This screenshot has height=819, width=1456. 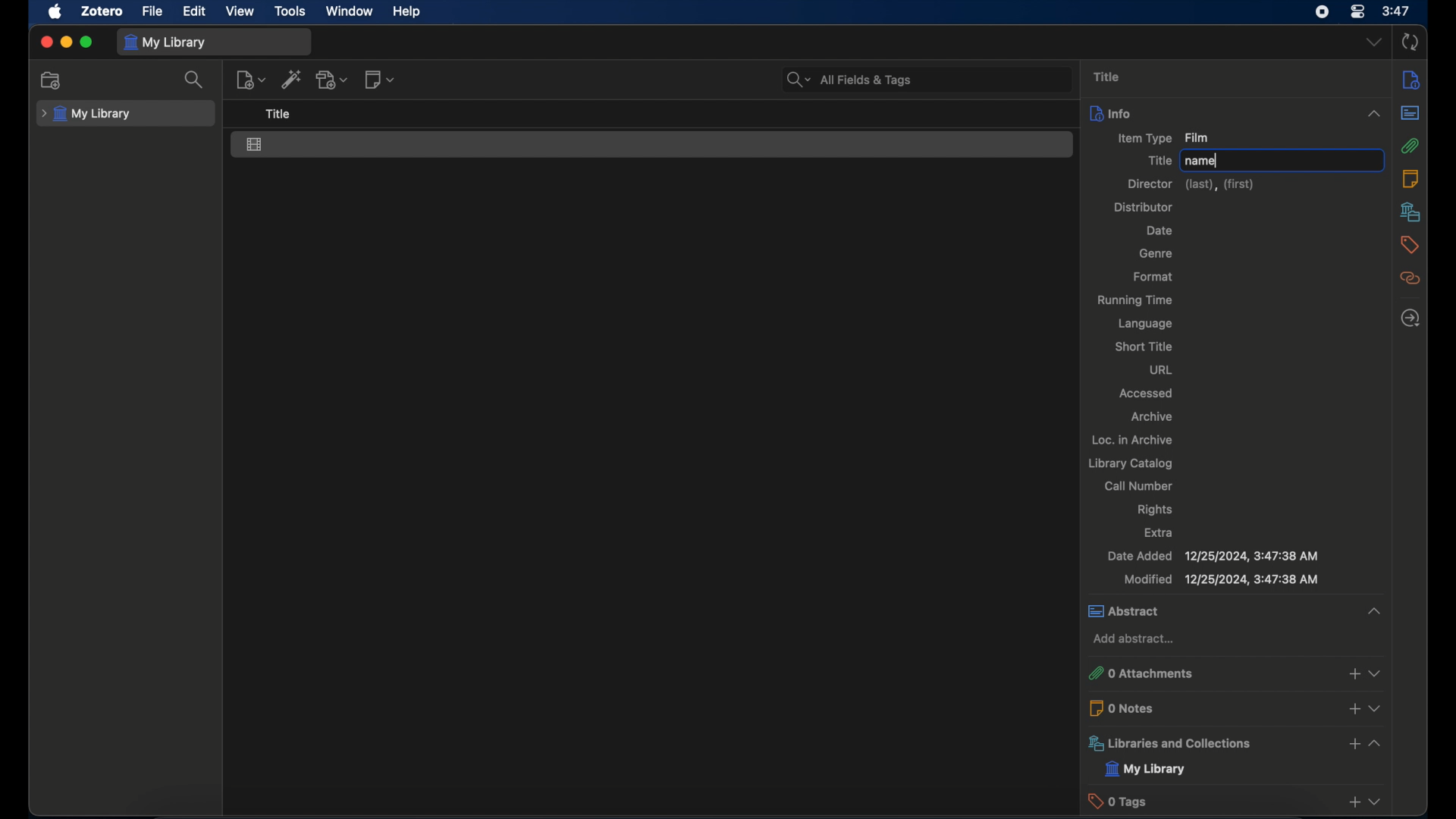 I want to click on extra, so click(x=1159, y=533).